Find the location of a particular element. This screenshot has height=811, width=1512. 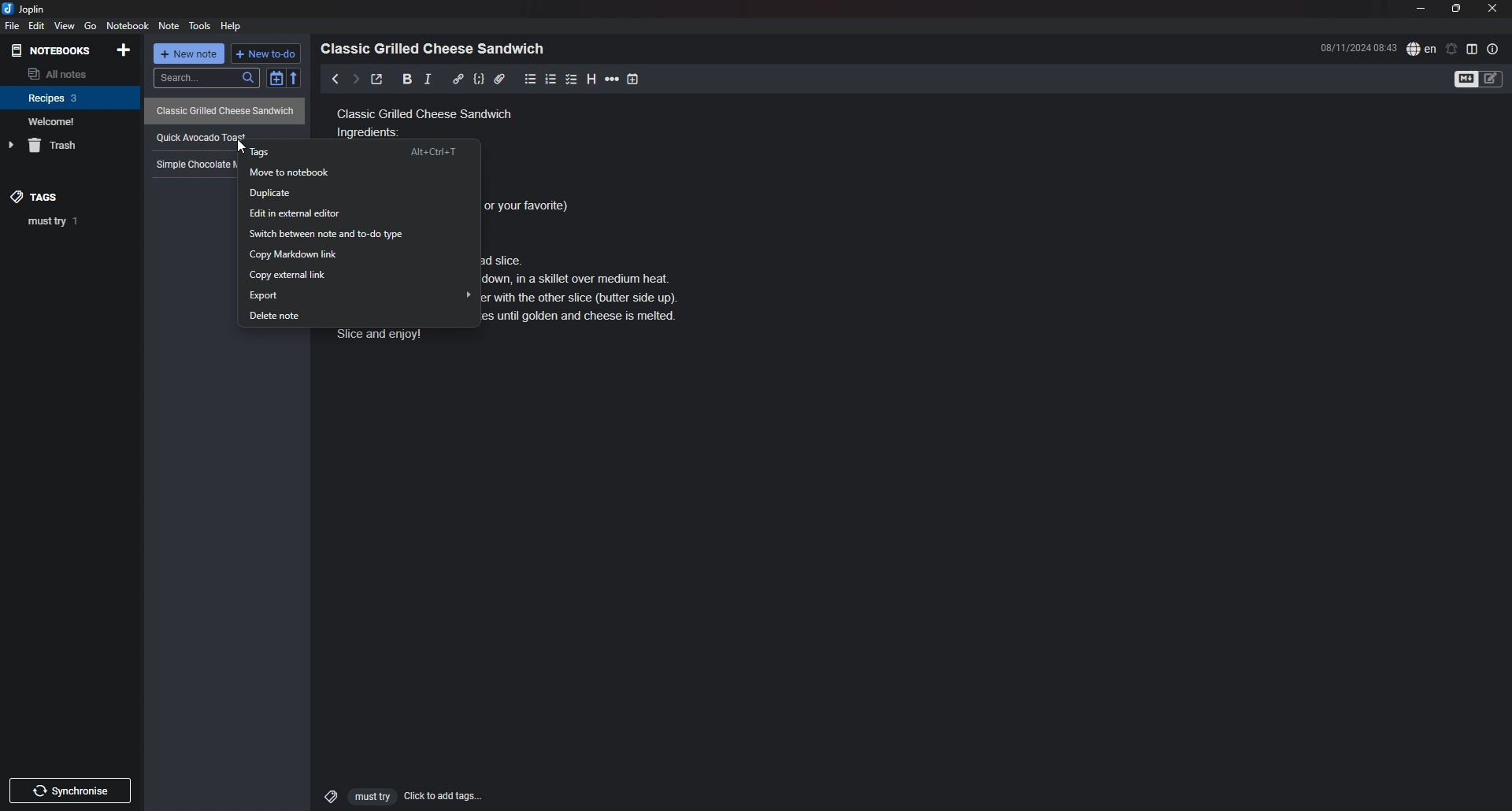

minimize is located at coordinates (1421, 9).